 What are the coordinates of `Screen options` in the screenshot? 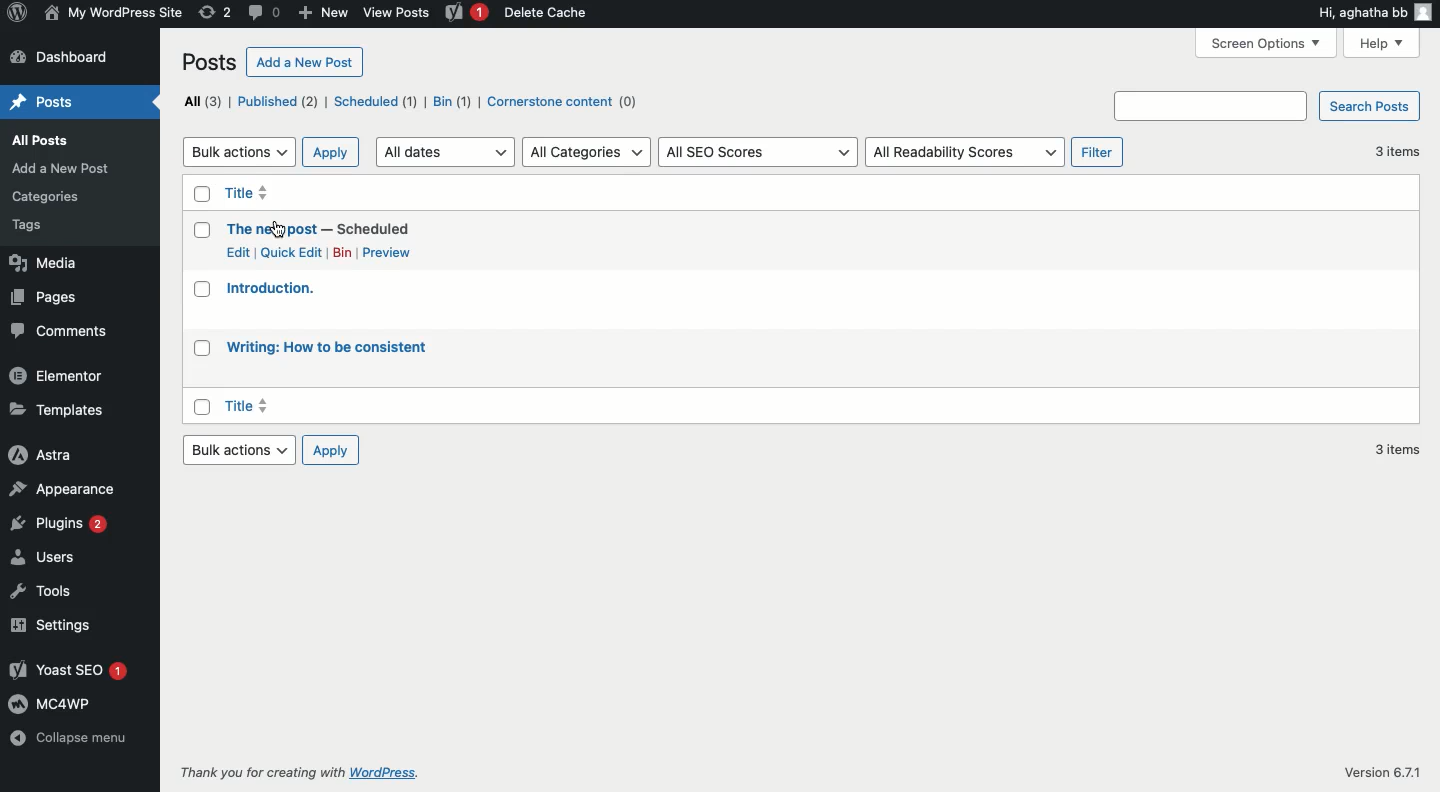 It's located at (1265, 42).